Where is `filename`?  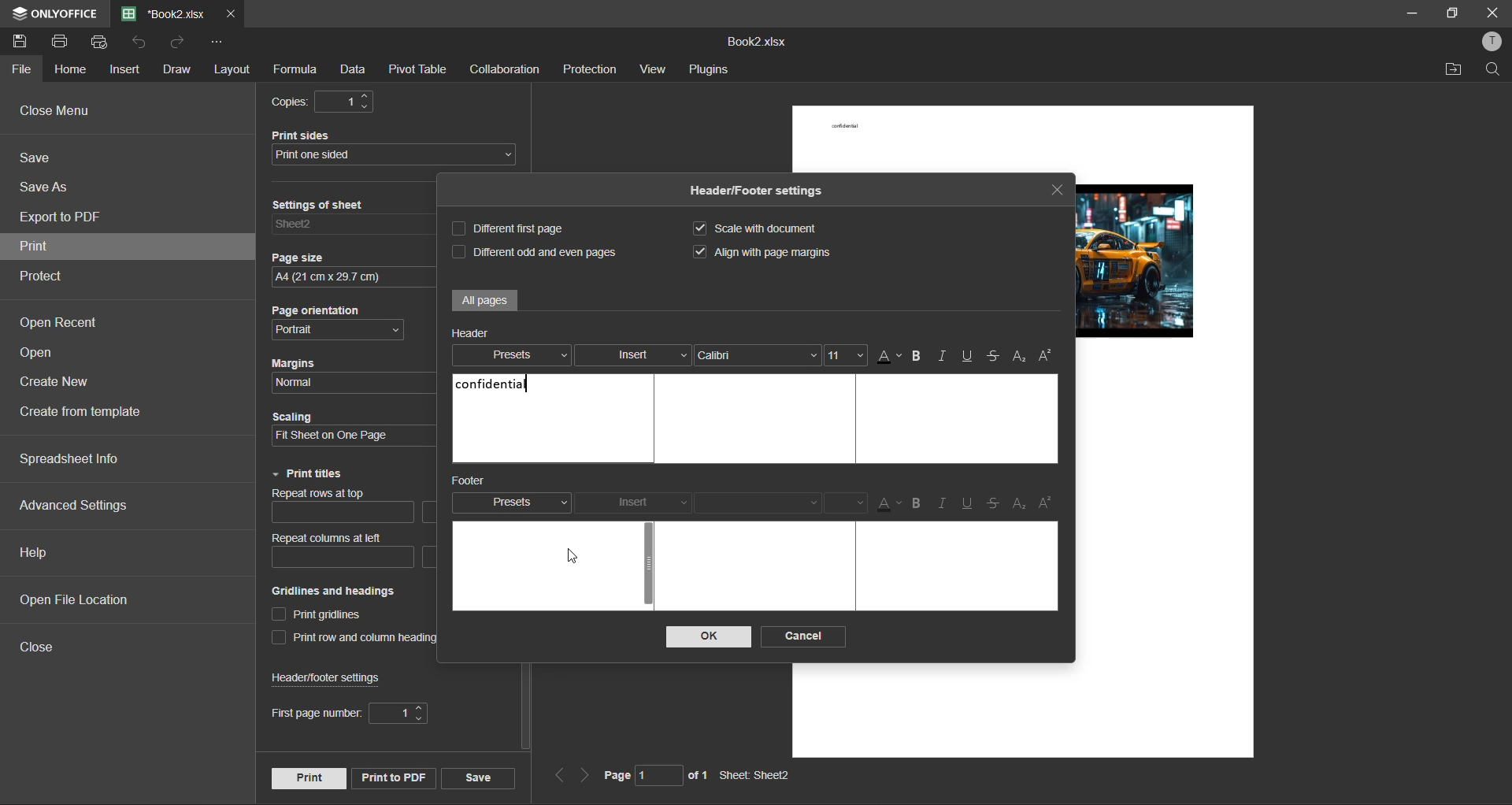 filename is located at coordinates (166, 13).